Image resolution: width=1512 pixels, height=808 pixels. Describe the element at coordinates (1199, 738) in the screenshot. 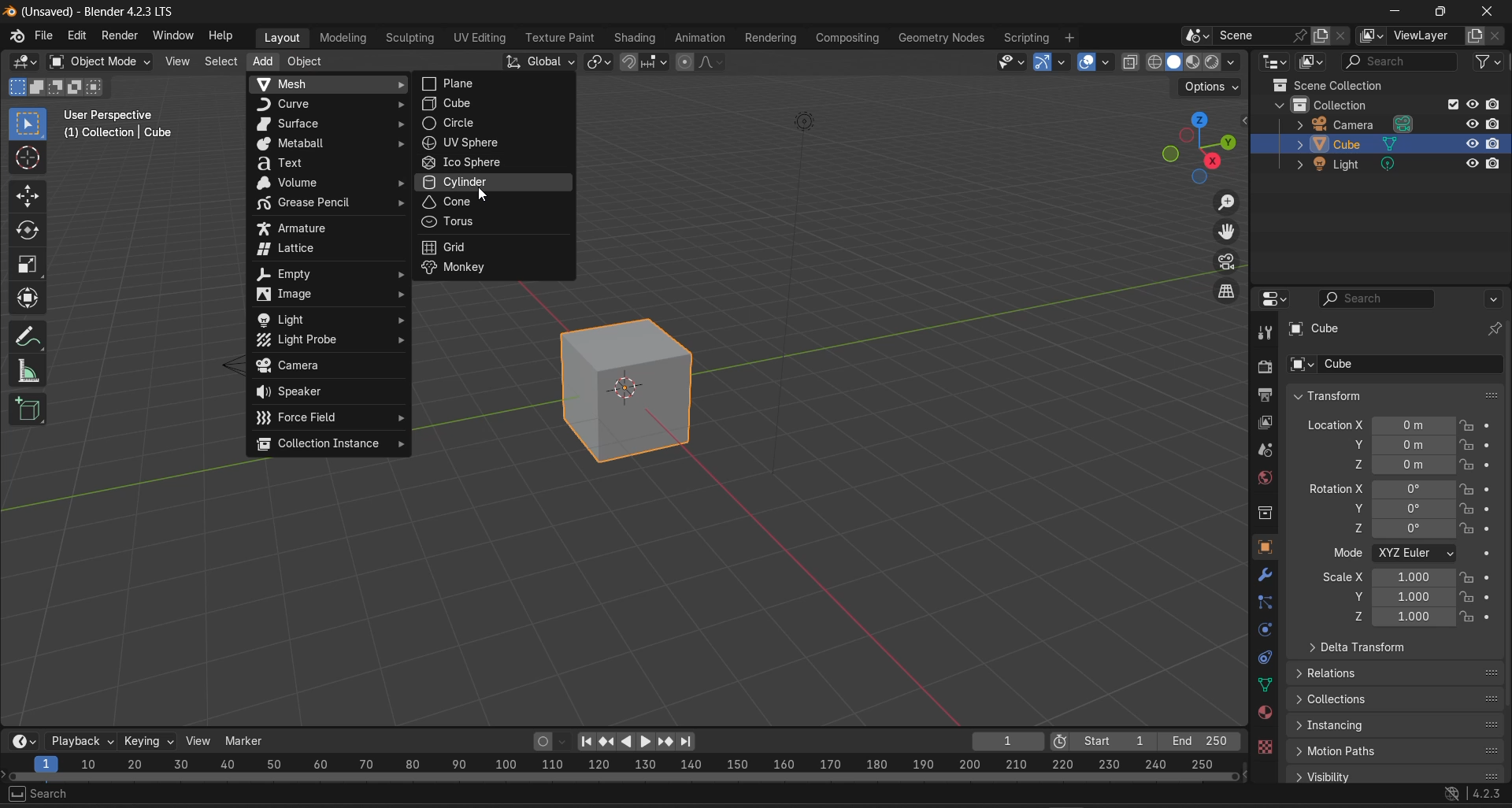

I see `final frame` at that location.